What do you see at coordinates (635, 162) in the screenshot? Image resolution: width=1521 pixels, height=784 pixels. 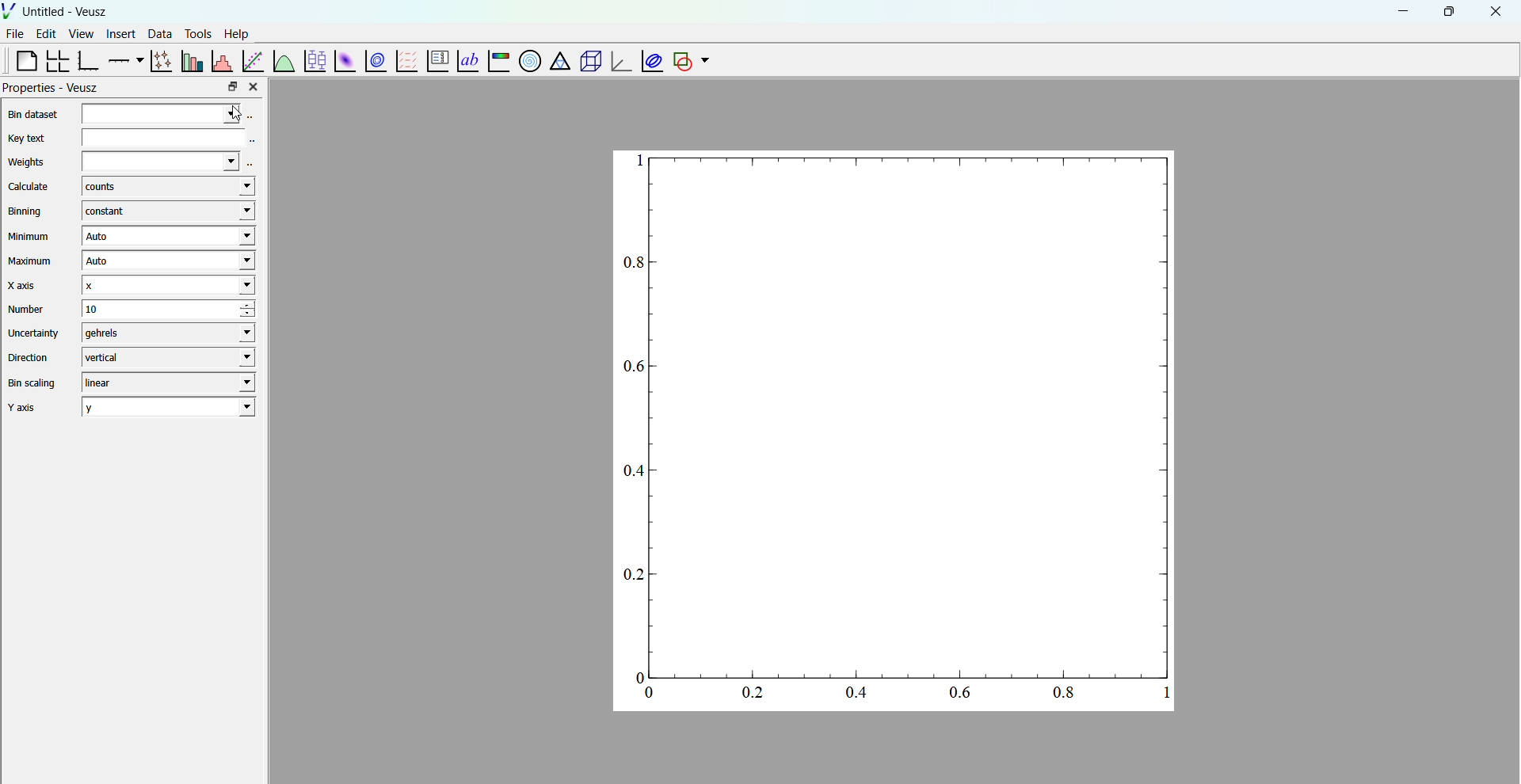 I see `1` at bounding box center [635, 162].